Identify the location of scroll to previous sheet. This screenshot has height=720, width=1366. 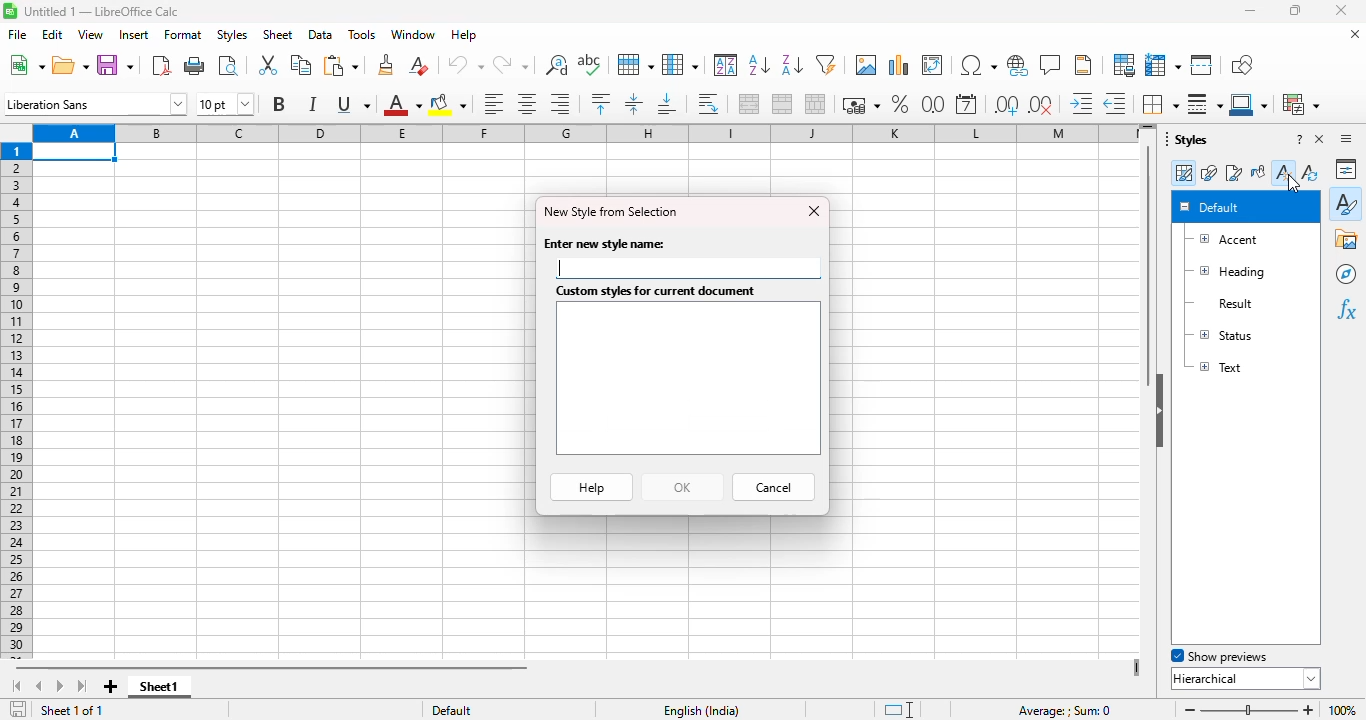
(38, 687).